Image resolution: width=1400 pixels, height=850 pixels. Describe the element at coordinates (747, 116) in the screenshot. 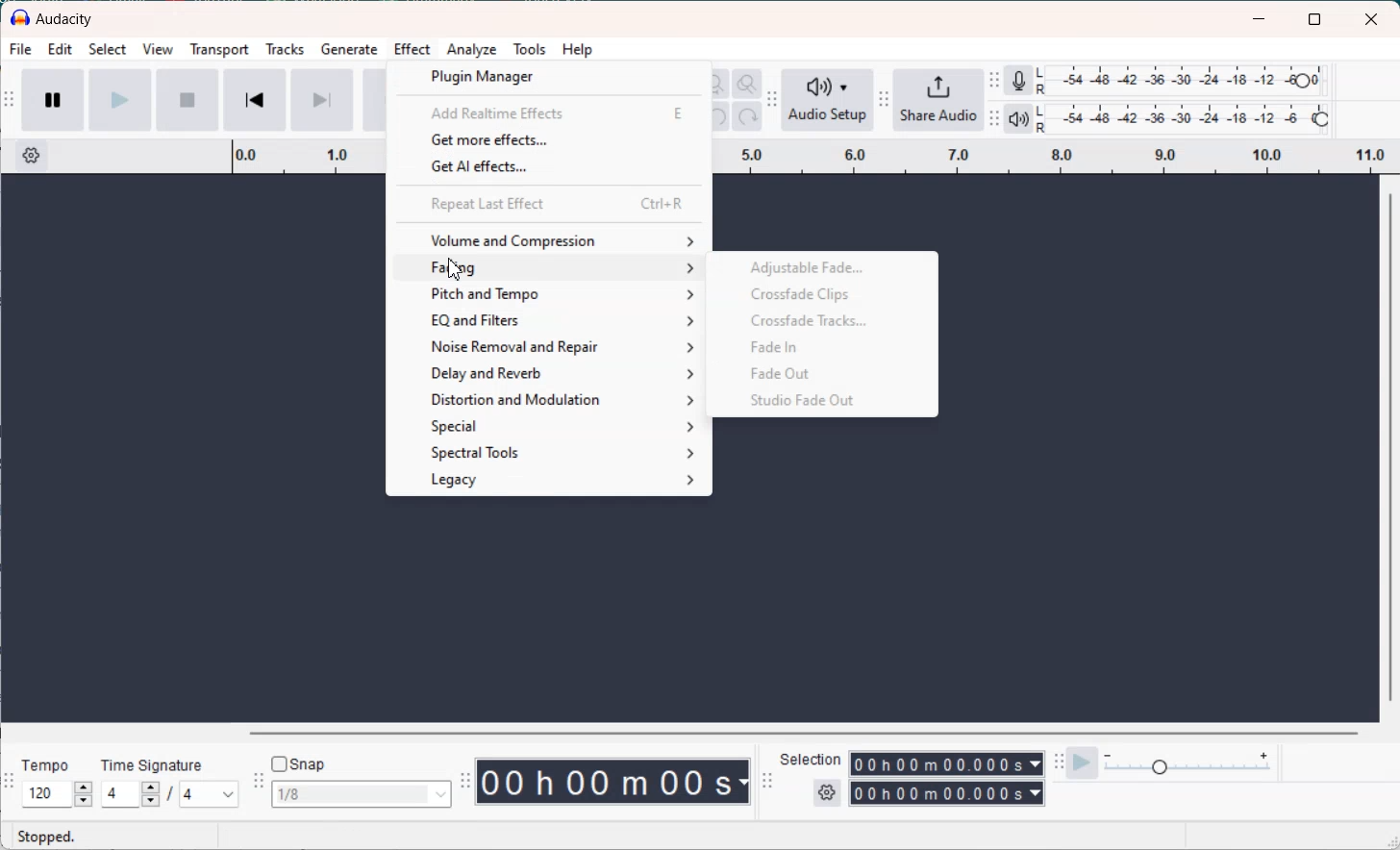

I see `Redo` at that location.